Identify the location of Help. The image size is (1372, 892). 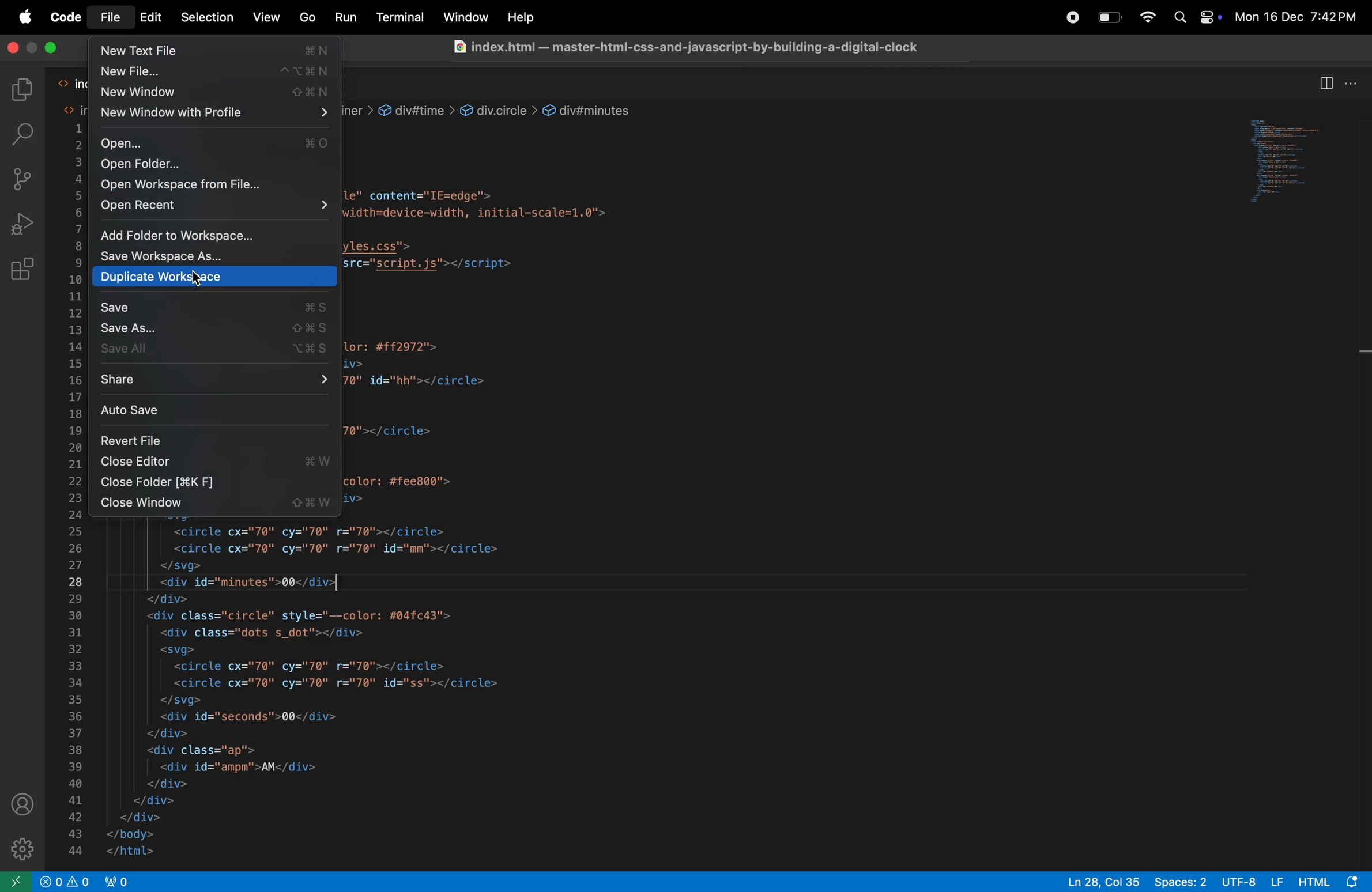
(522, 17).